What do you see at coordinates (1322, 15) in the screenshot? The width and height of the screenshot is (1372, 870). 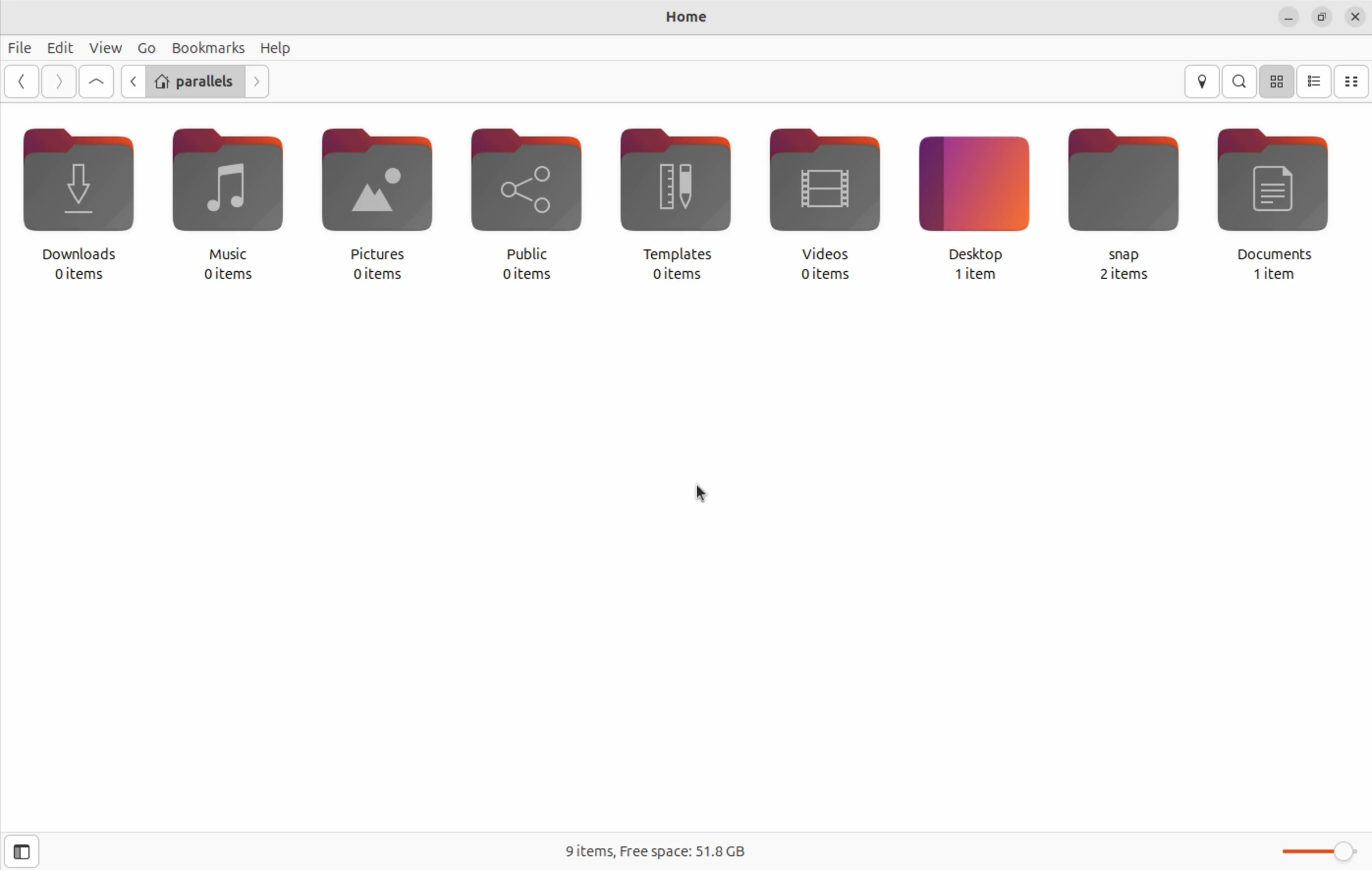 I see `resize` at bounding box center [1322, 15].